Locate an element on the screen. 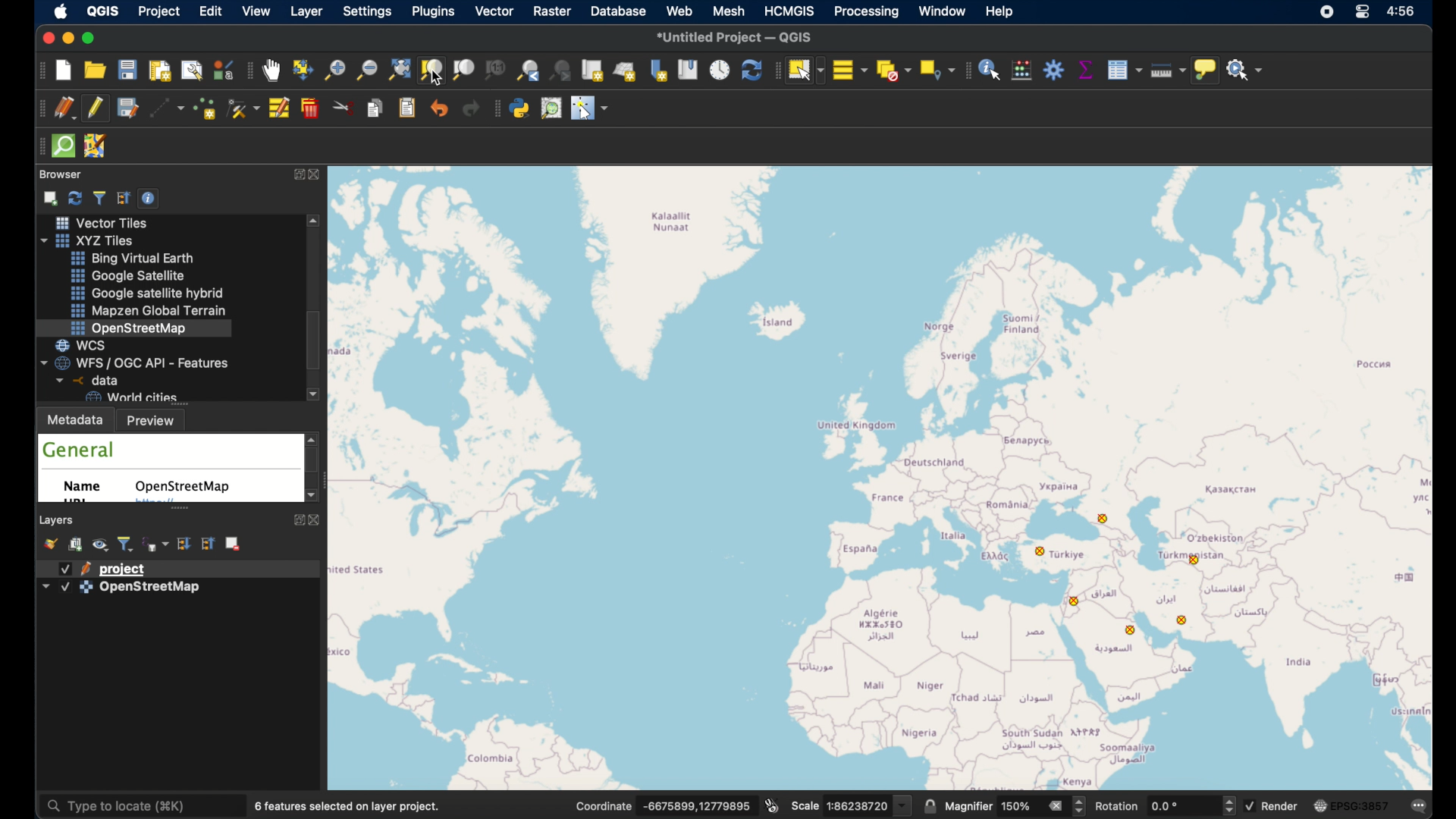 Image resolution: width=1456 pixels, height=819 pixels. maximize is located at coordinates (93, 38).